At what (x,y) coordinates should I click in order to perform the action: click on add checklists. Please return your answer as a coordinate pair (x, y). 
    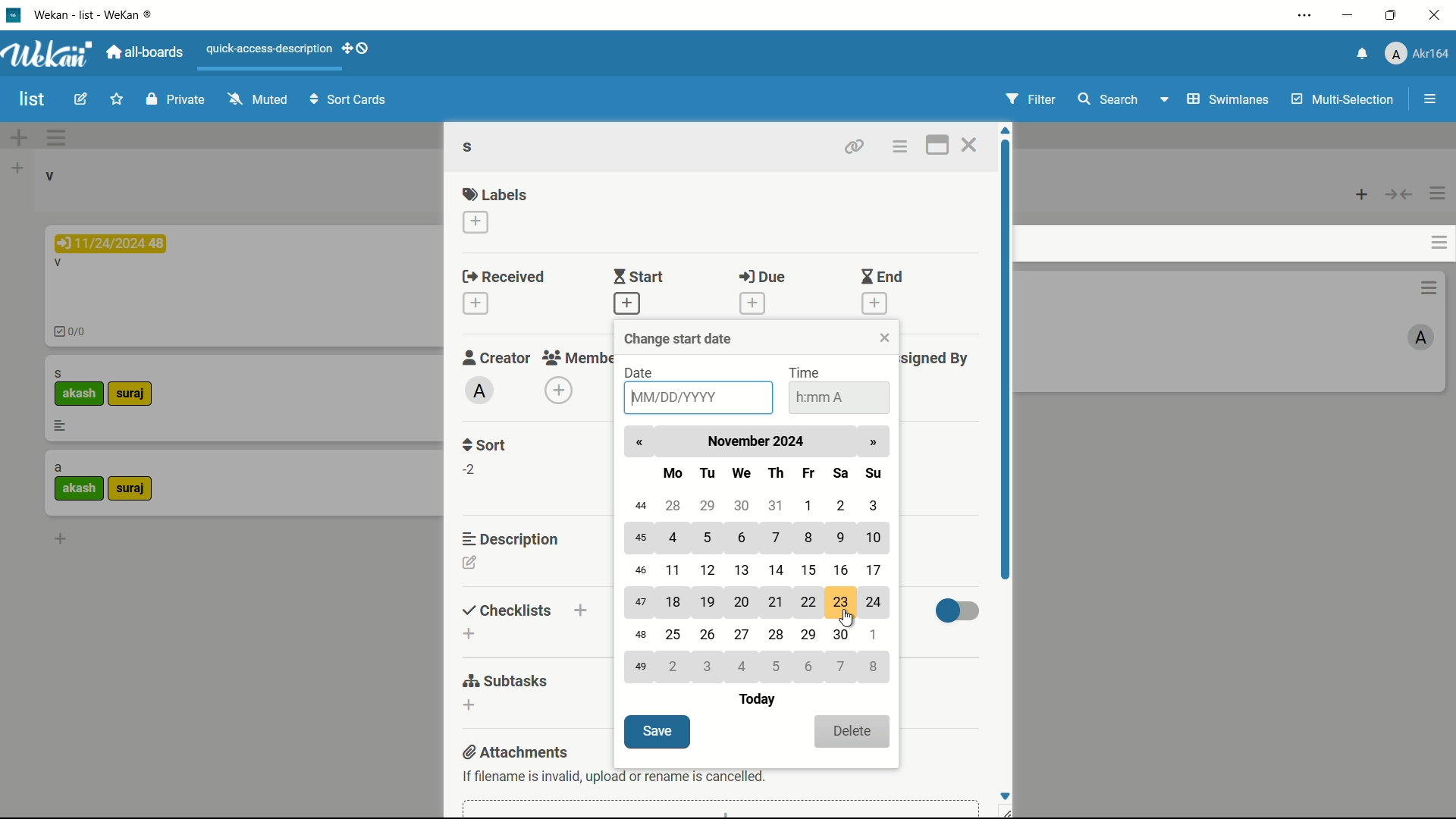
    Looking at the image, I should click on (582, 610).